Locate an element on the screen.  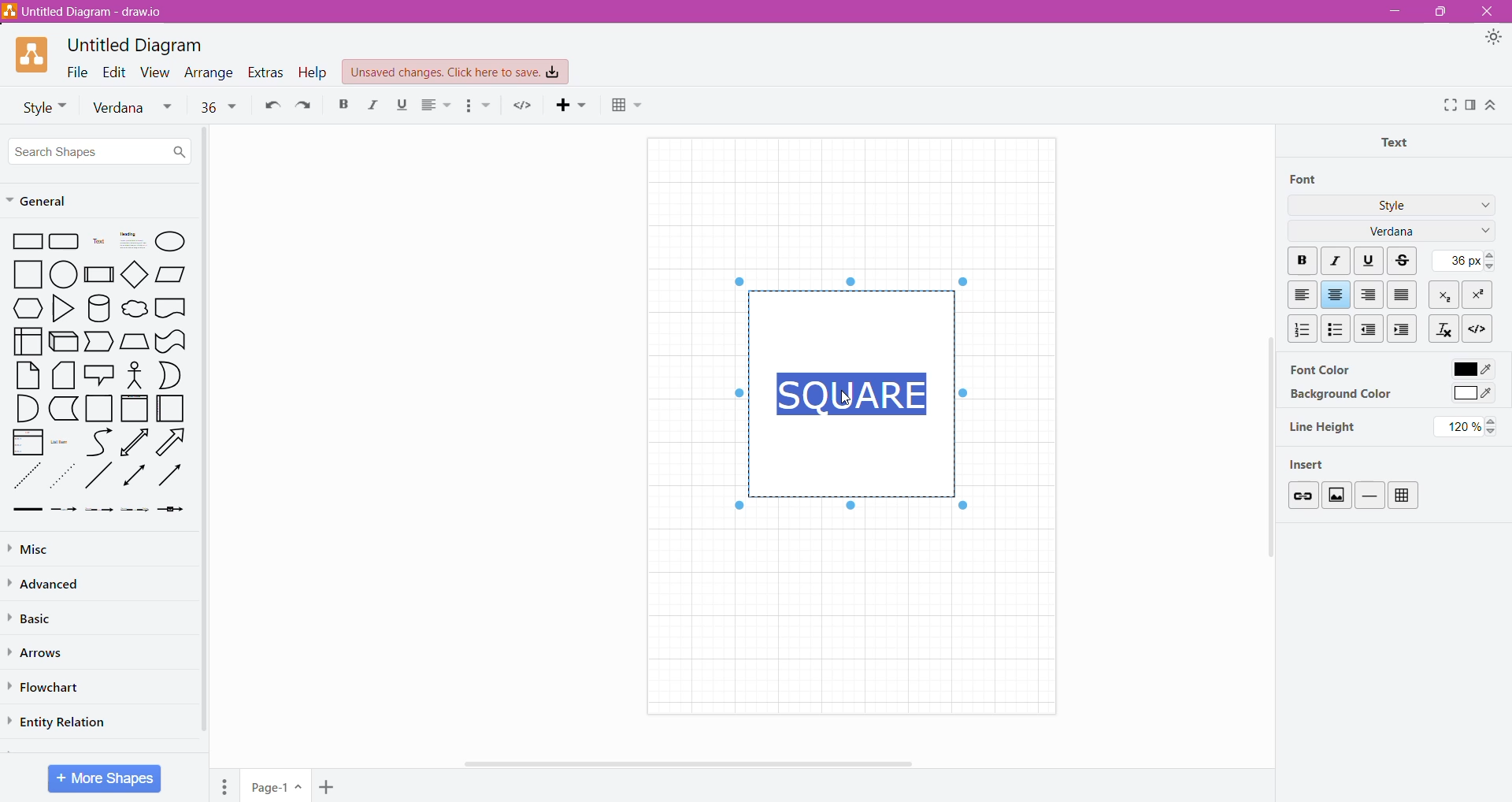
document is located at coordinates (171, 307).